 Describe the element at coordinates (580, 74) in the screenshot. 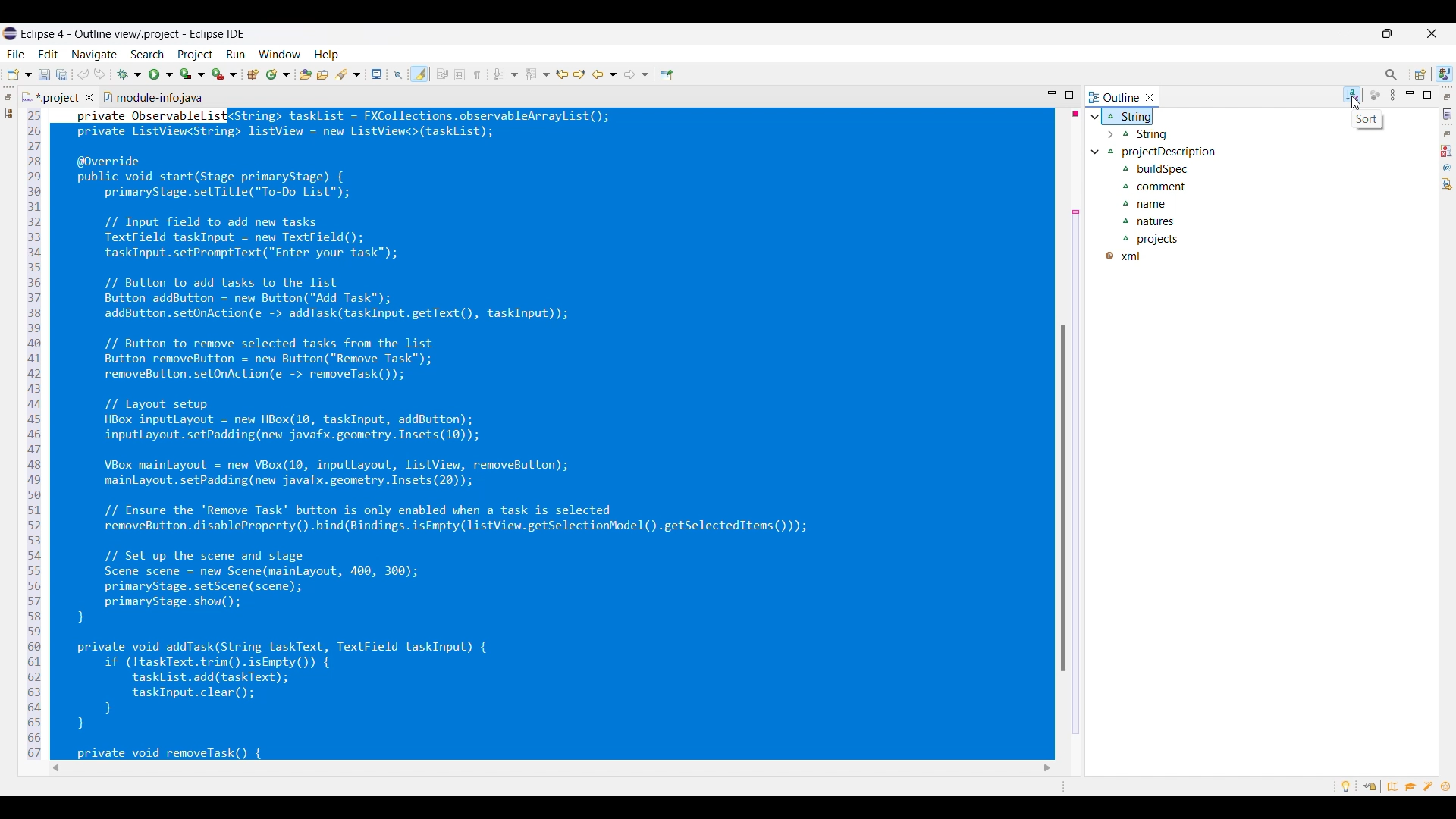

I see `Next edit location` at that location.